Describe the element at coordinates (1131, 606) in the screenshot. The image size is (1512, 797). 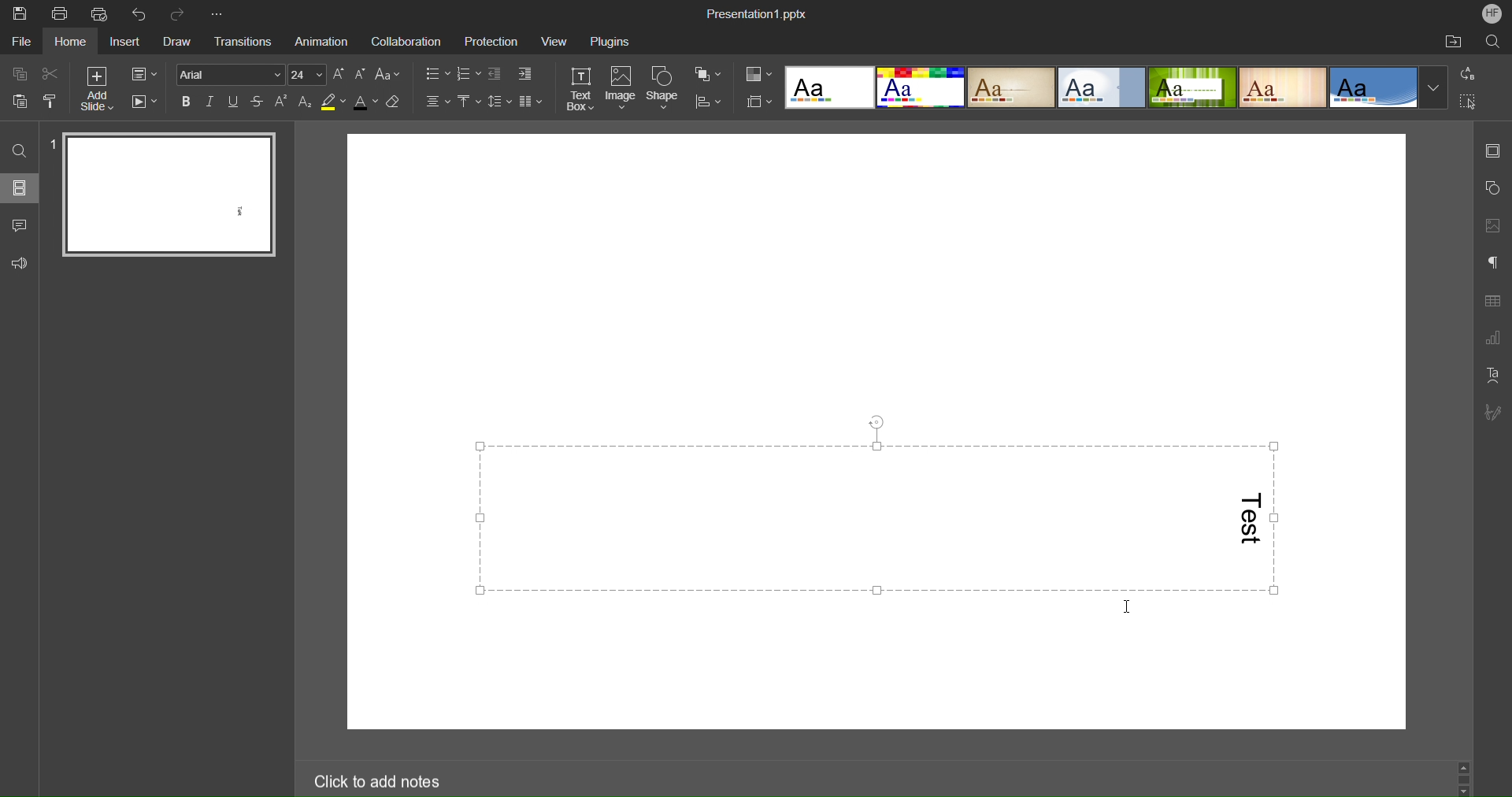
I see `cursor` at that location.